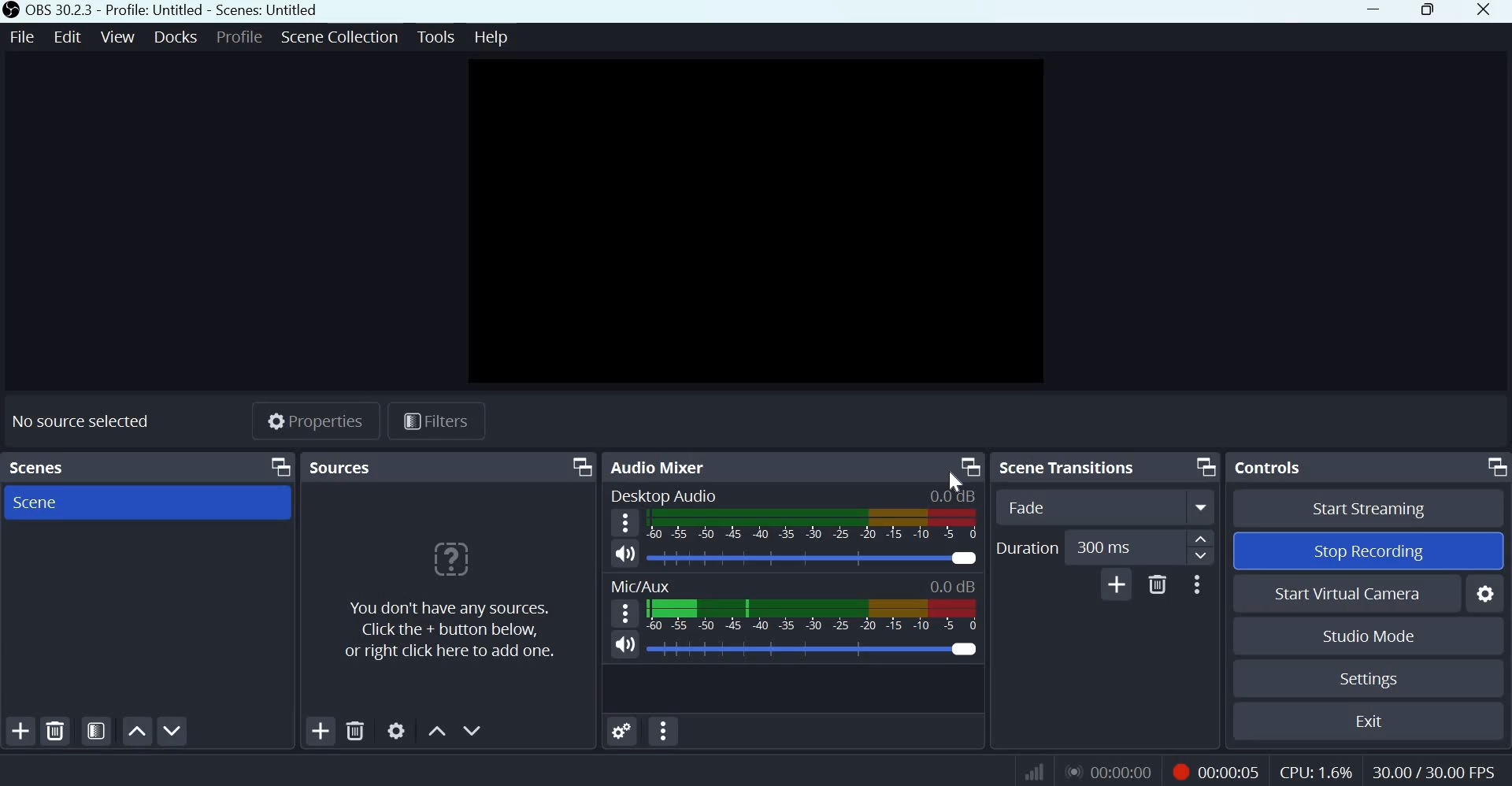  I want to click on Speaker icon, so click(626, 644).